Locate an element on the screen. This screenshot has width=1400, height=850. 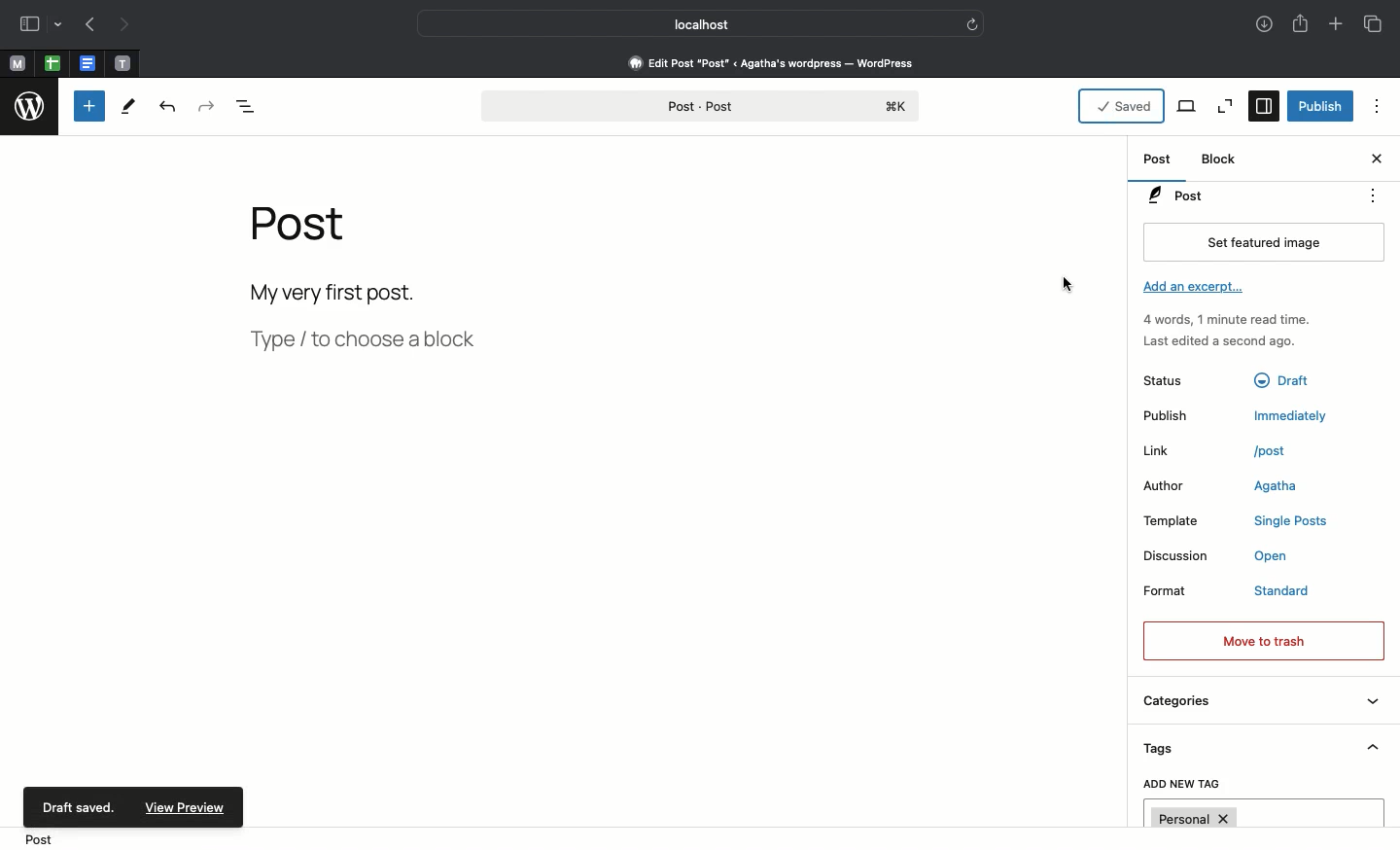
post is located at coordinates (1272, 452).